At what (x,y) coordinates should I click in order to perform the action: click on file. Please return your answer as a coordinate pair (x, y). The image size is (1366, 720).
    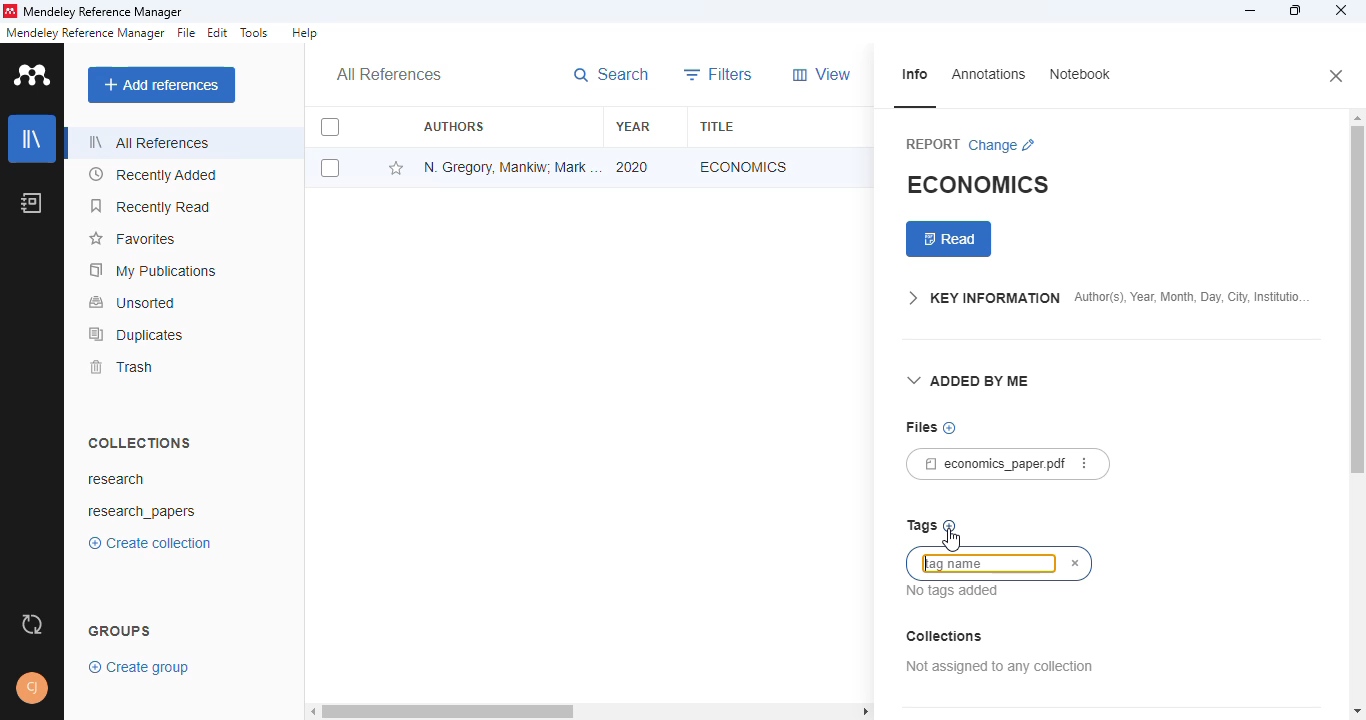
    Looking at the image, I should click on (187, 33).